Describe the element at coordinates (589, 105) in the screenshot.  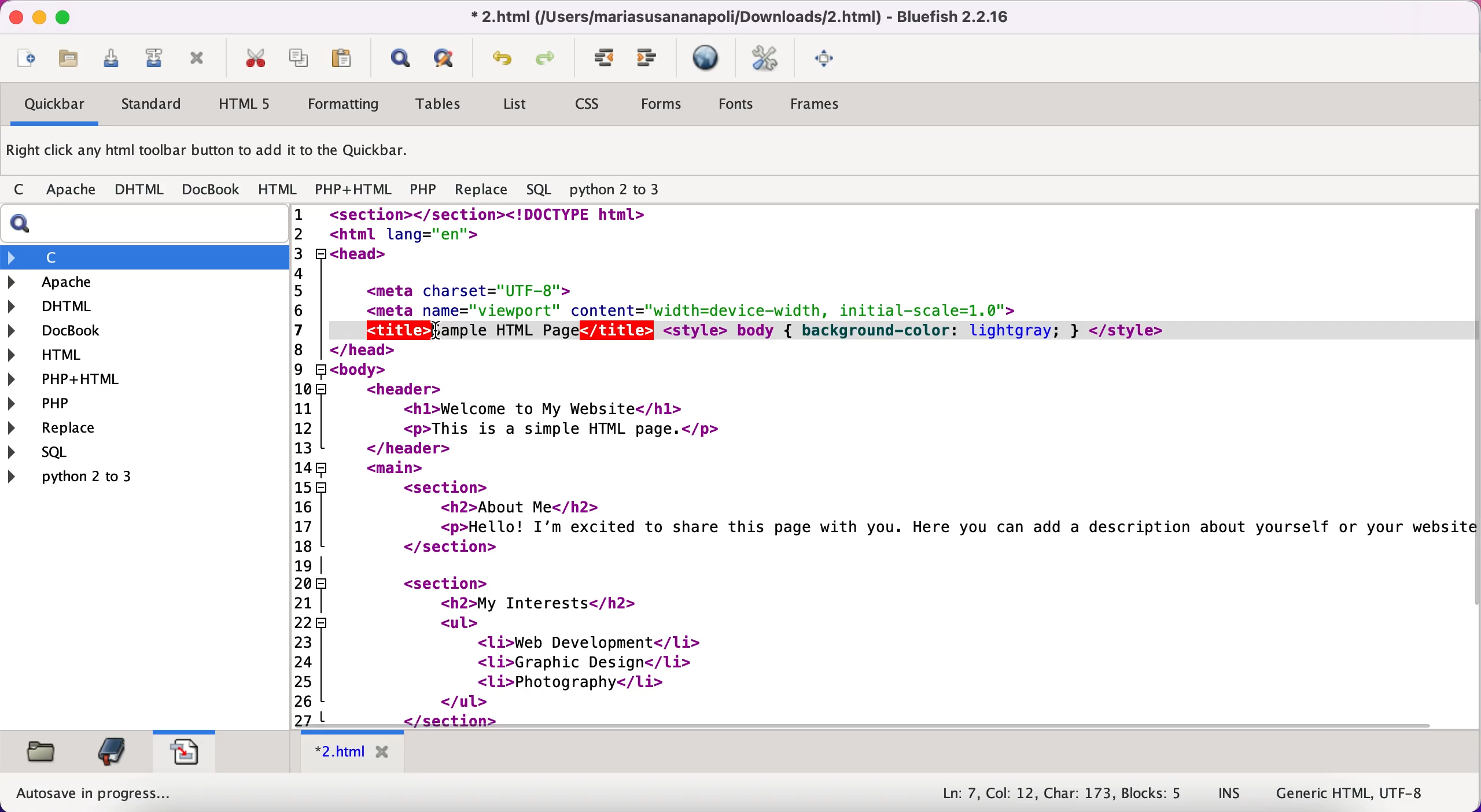
I see `css` at that location.